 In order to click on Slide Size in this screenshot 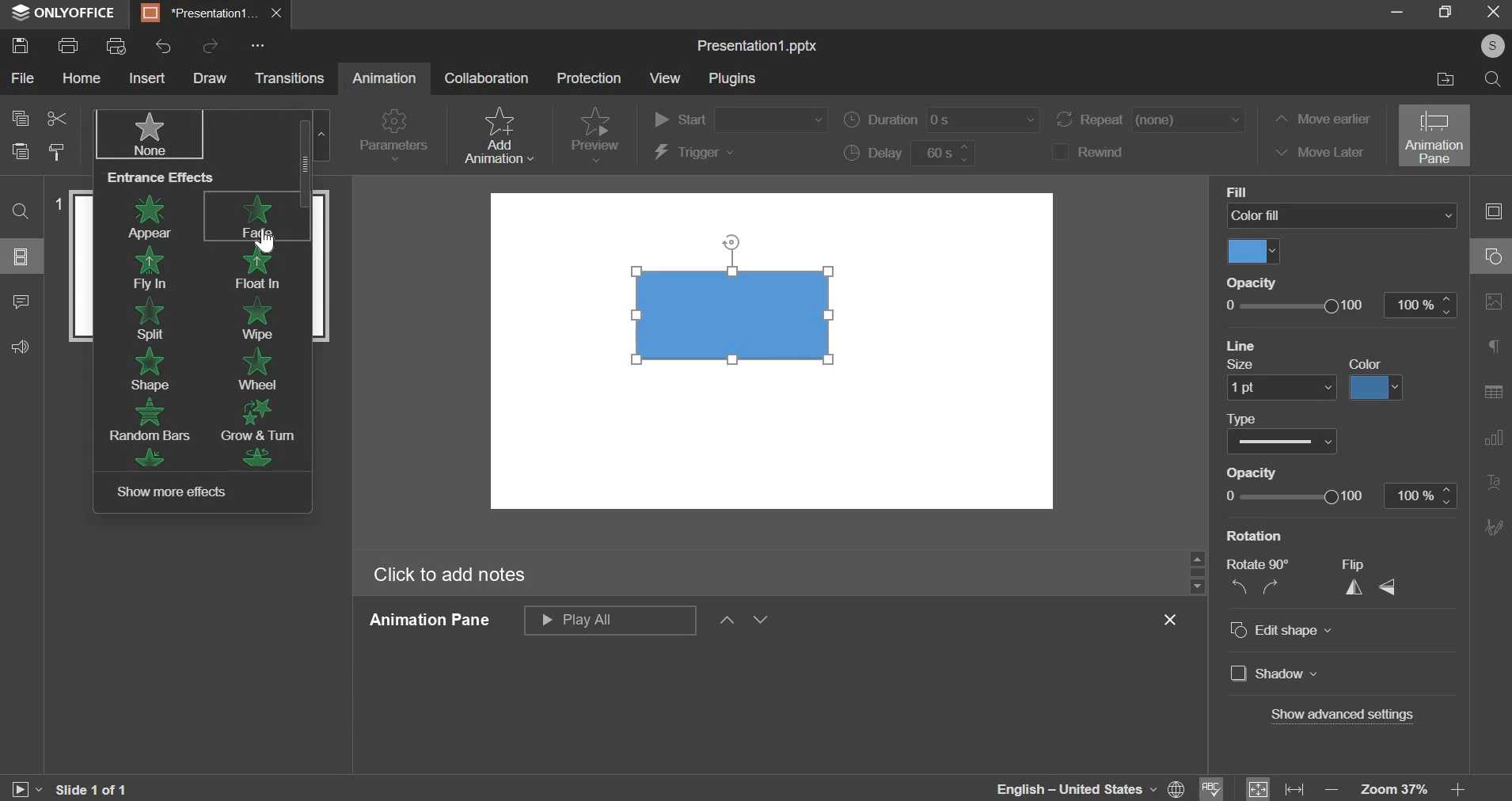, I will do `click(1496, 346)`.